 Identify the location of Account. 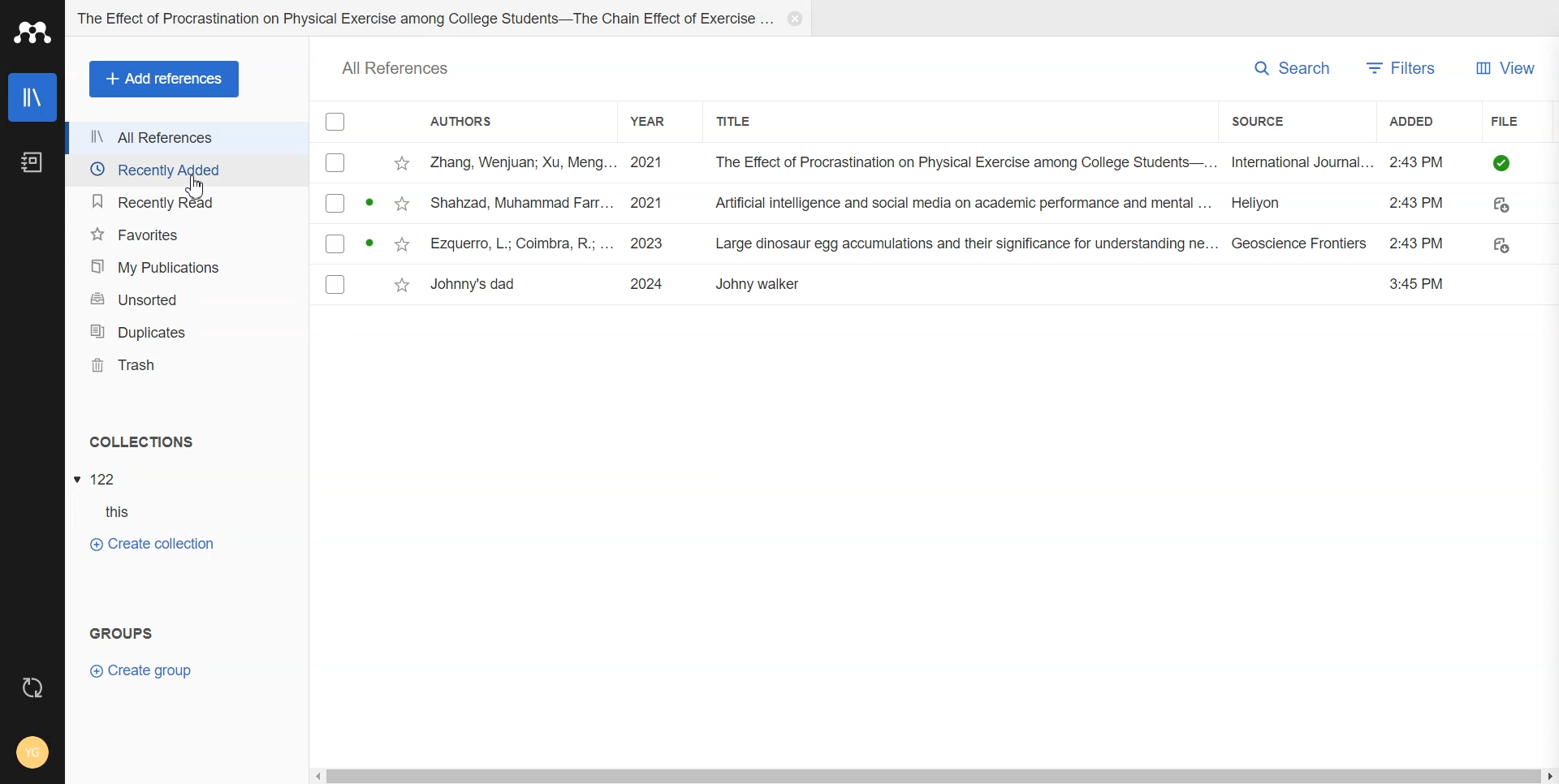
(32, 758).